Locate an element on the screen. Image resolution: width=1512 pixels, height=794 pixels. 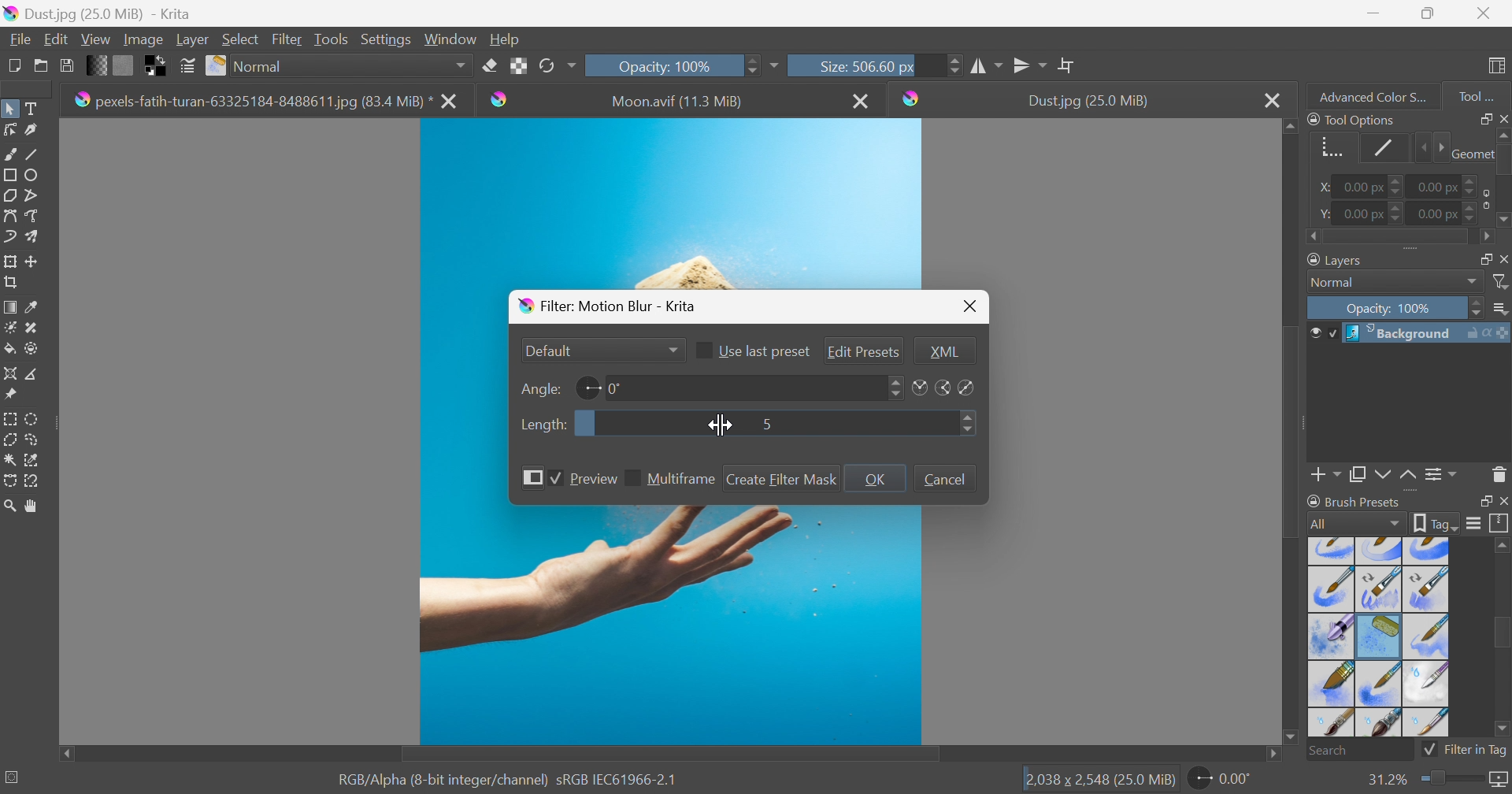
31.2% is located at coordinates (1385, 779).